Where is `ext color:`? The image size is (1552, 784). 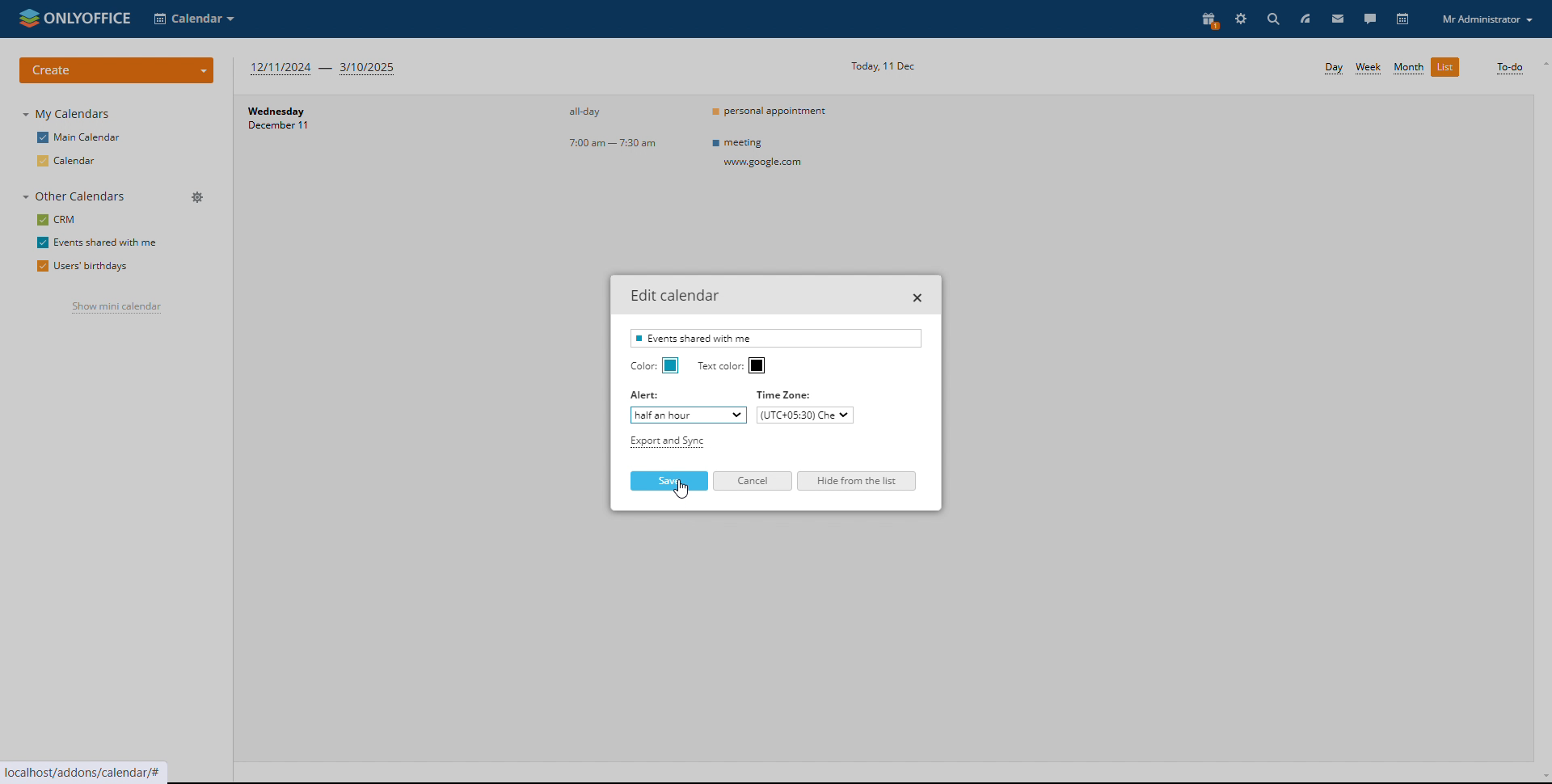
ext color: is located at coordinates (720, 366).